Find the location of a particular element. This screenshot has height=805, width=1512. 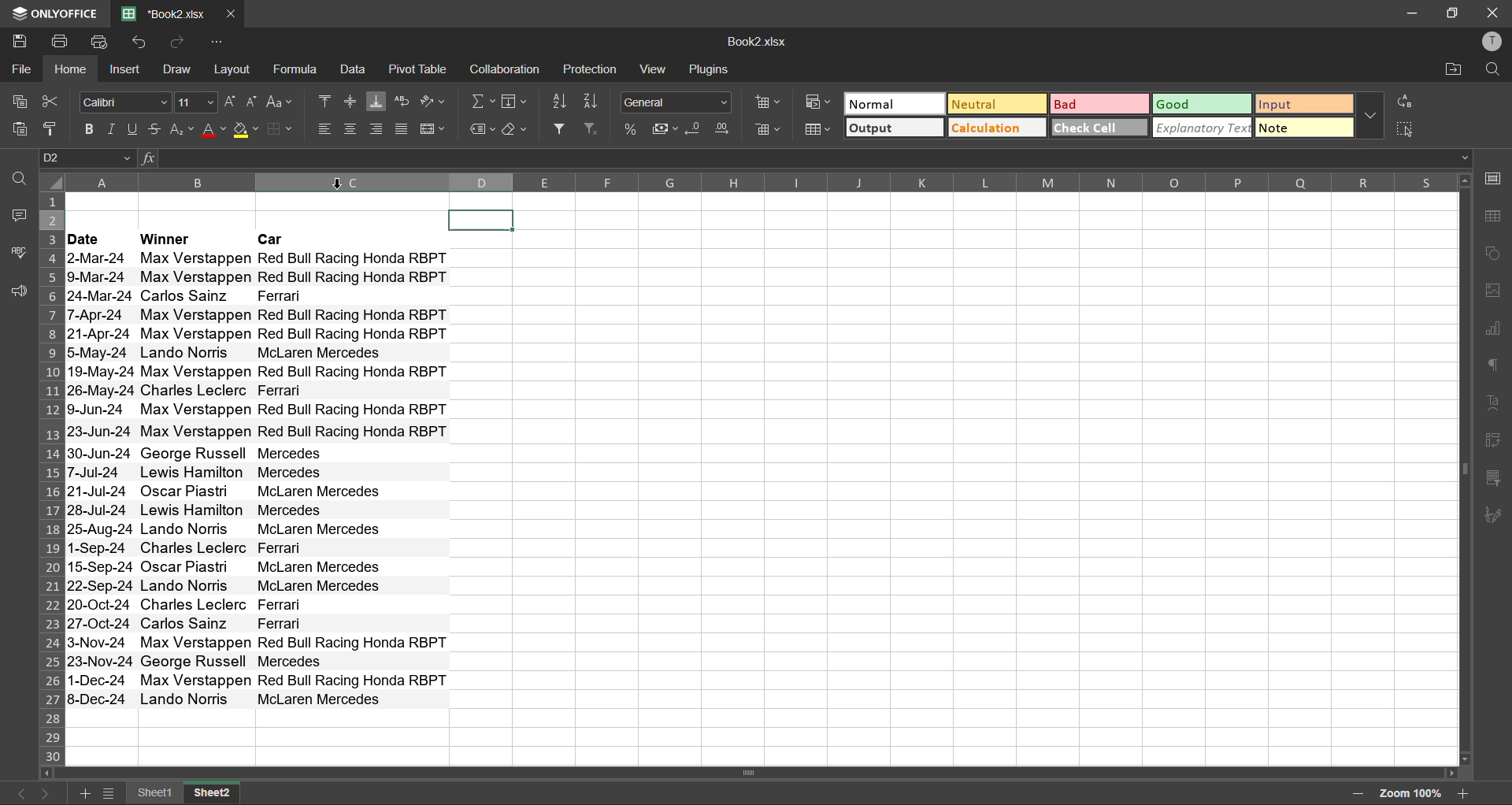

bold is located at coordinates (89, 128).